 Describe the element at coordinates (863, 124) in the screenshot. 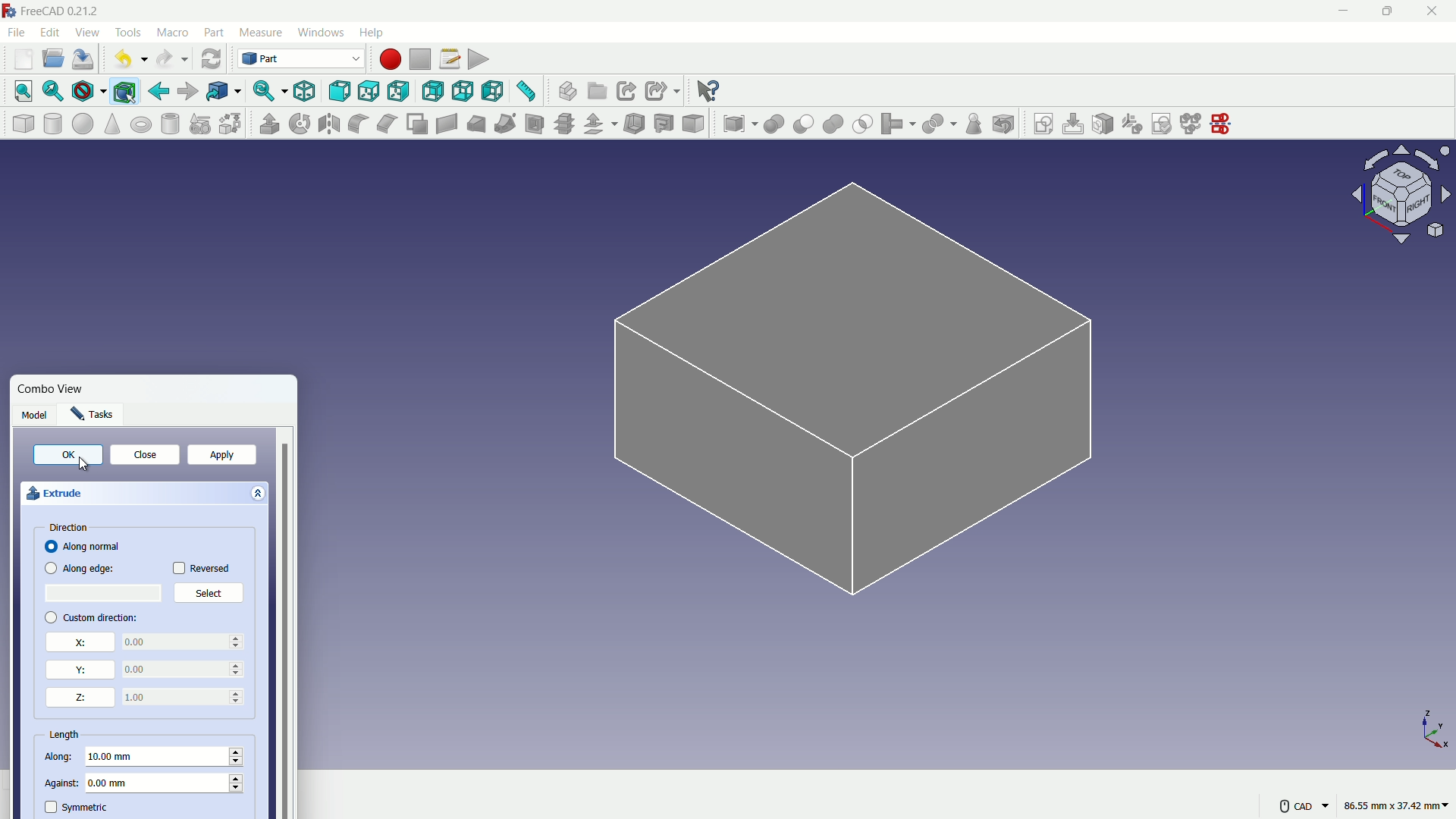

I see `selection` at that location.